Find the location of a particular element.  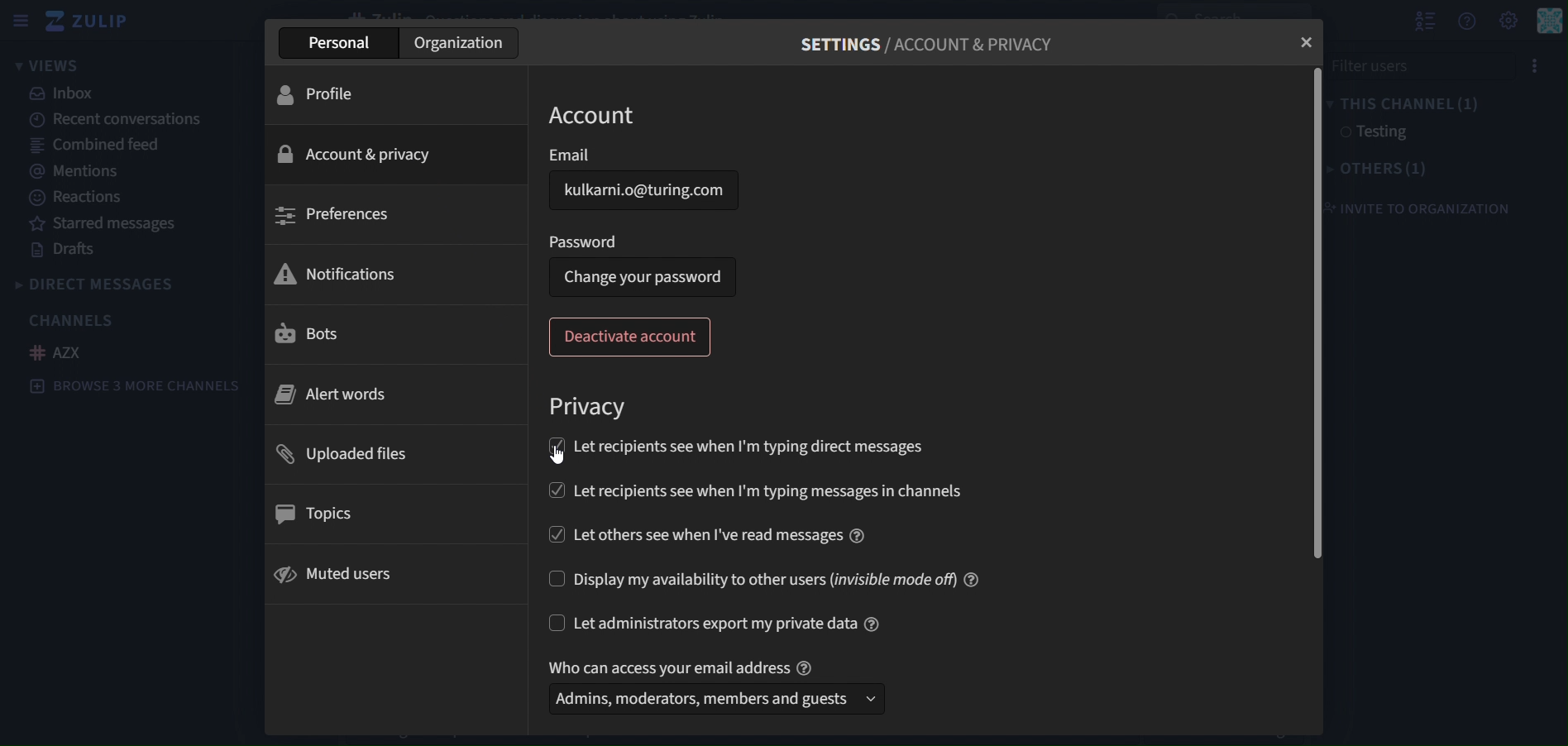

Admins, moderators, members and guests is located at coordinates (711, 699).